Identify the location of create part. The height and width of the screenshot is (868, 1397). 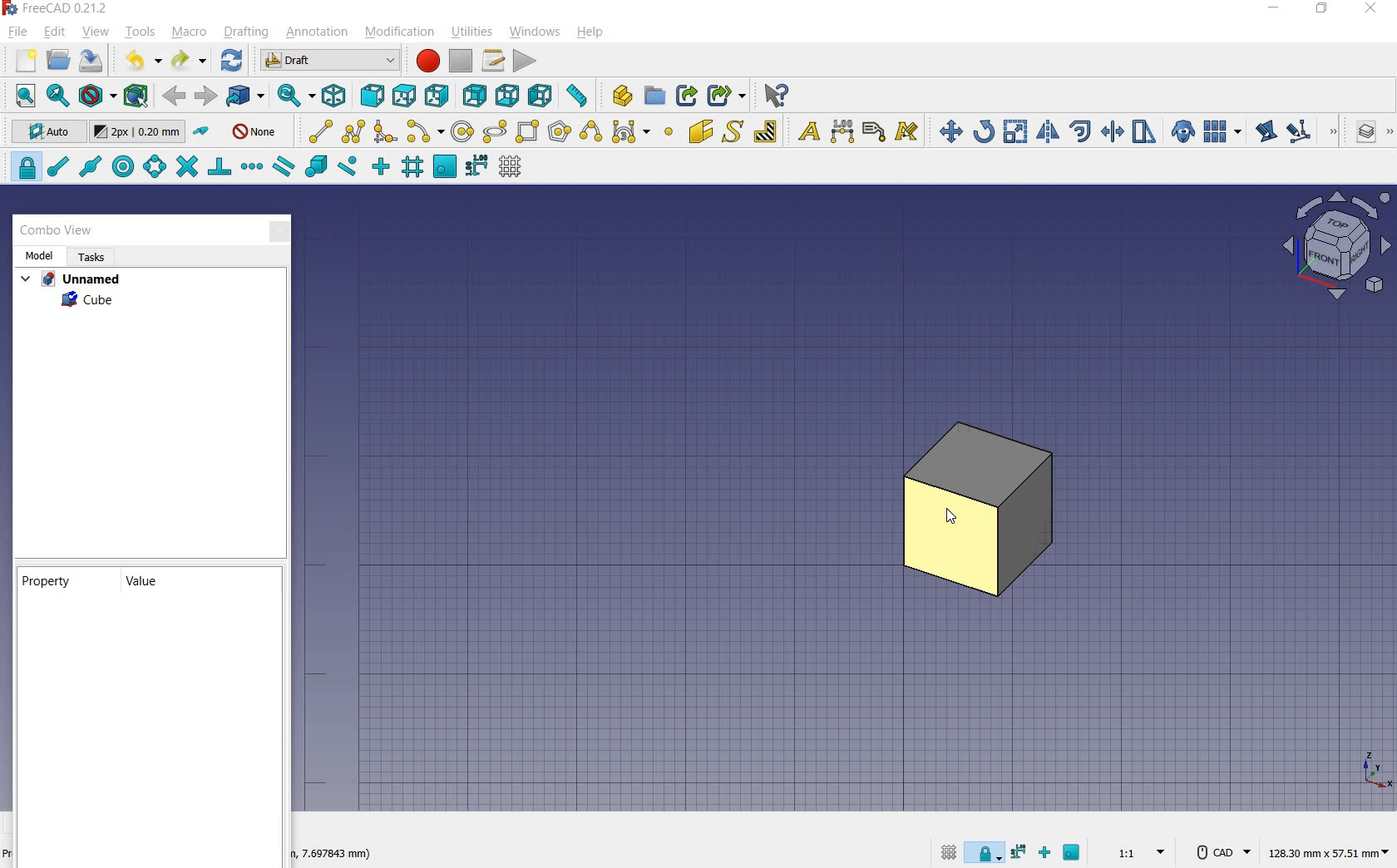
(618, 95).